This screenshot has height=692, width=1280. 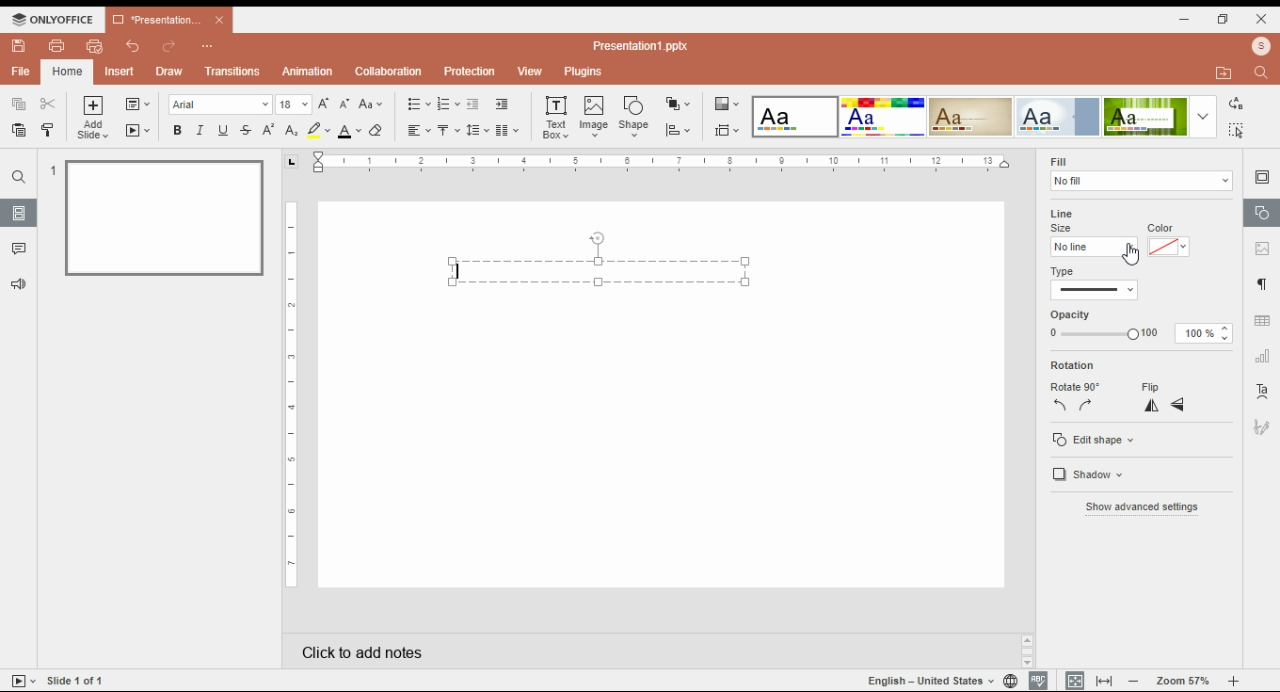 What do you see at coordinates (291, 162) in the screenshot?
I see `page orientation` at bounding box center [291, 162].